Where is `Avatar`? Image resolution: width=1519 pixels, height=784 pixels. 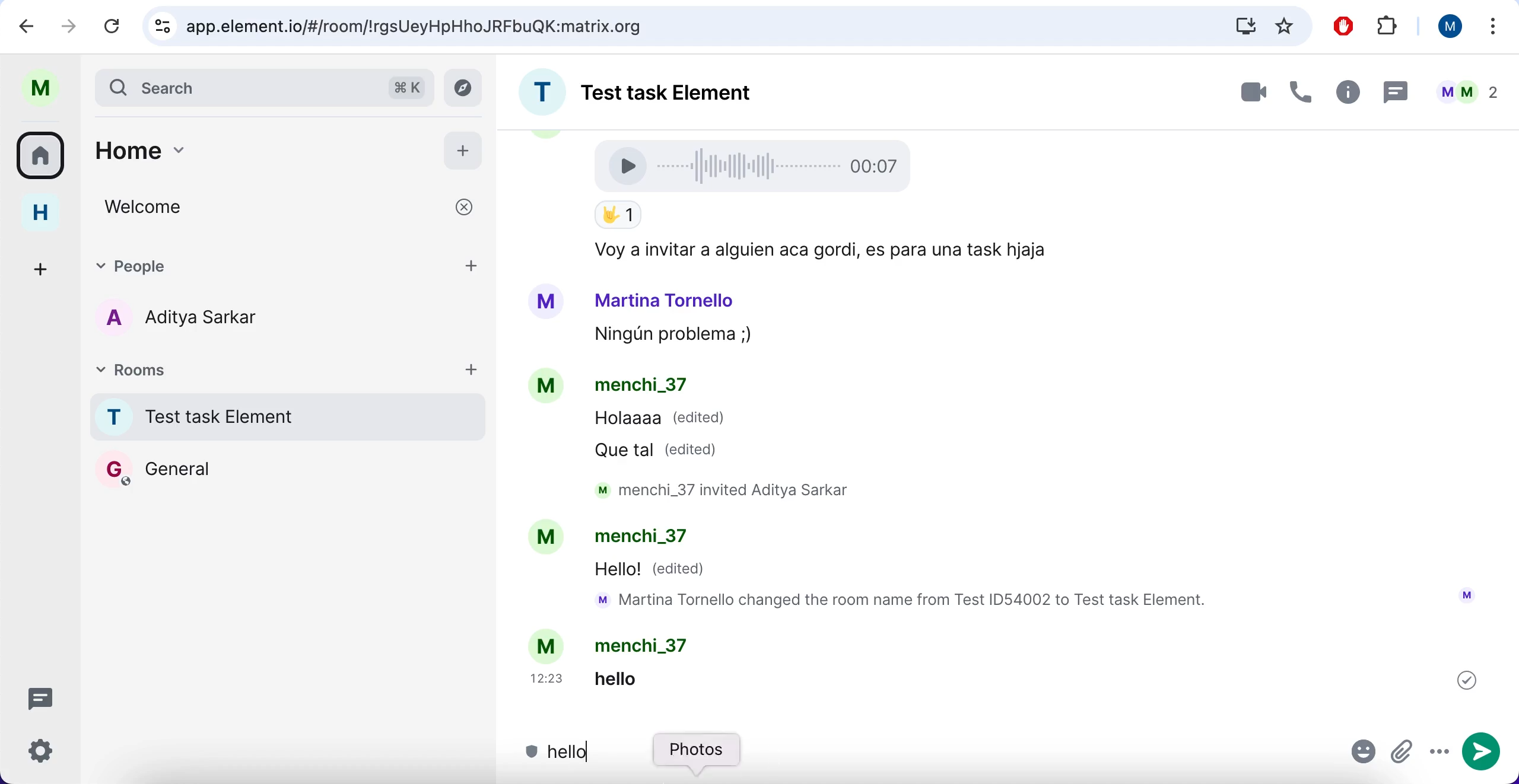 Avatar is located at coordinates (546, 302).